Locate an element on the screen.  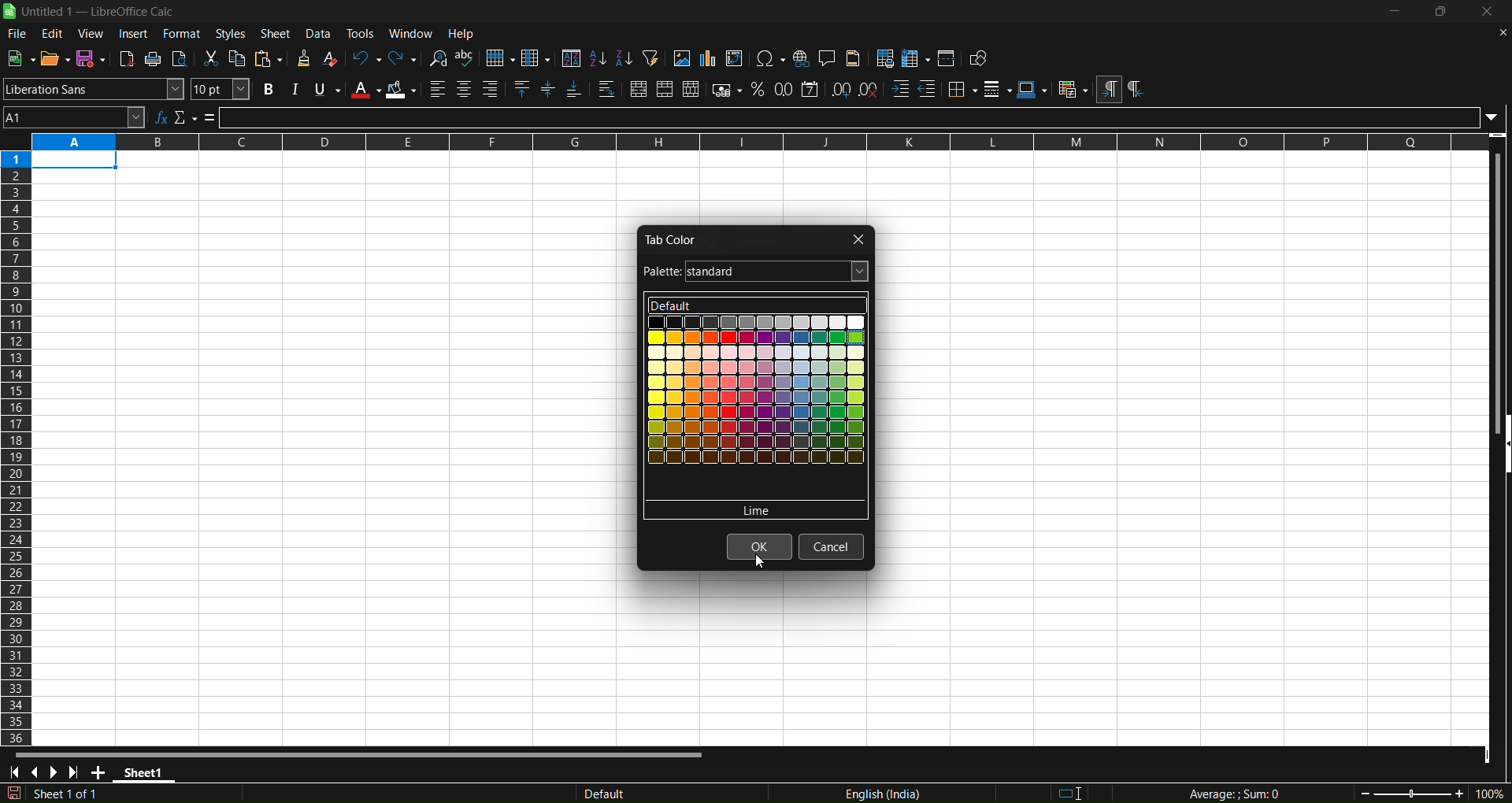
standard selection is located at coordinates (1080, 791).